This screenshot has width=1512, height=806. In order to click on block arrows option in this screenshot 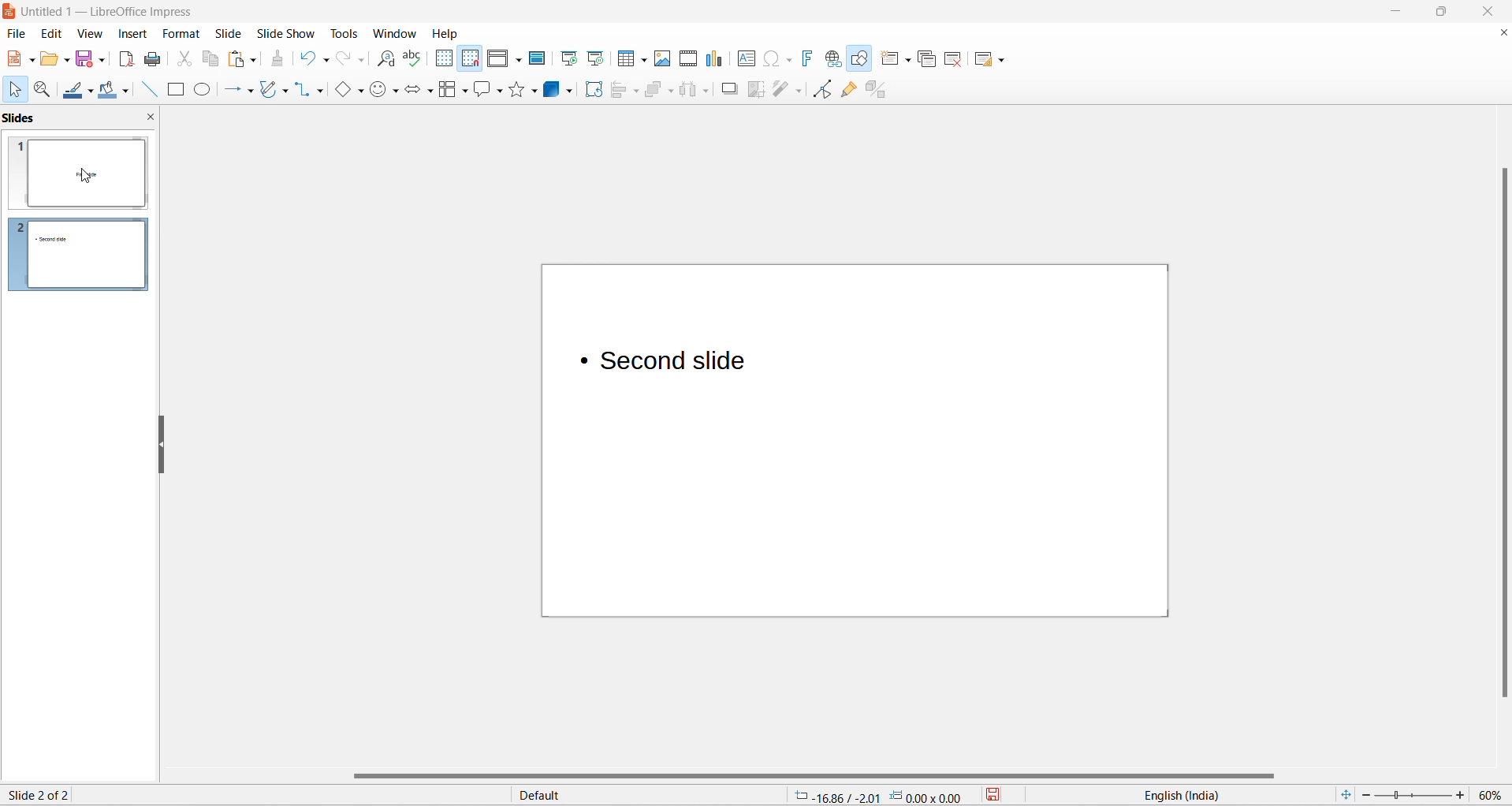, I will do `click(430, 91)`.